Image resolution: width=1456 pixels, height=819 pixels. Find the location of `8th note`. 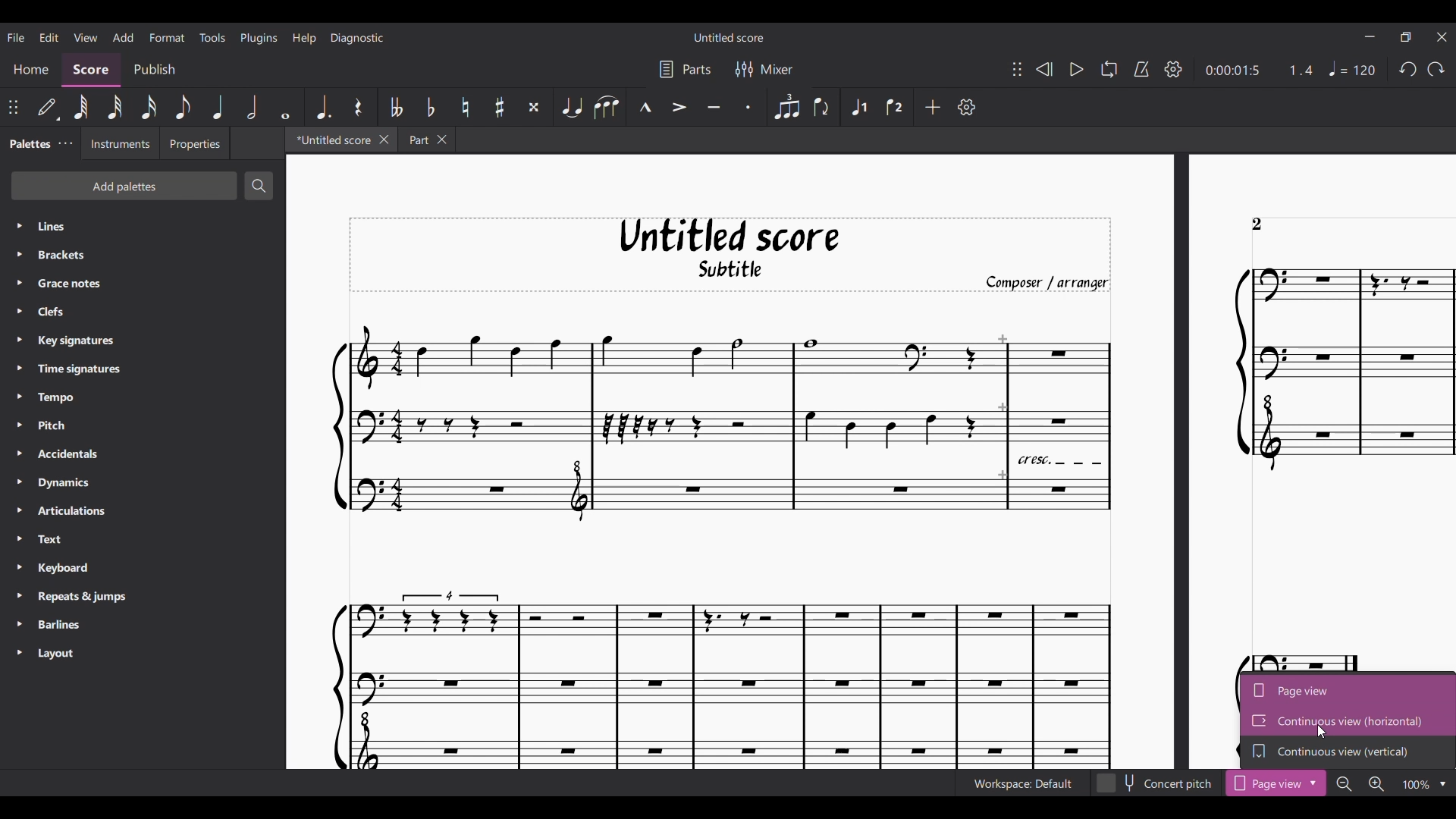

8th note is located at coordinates (184, 108).